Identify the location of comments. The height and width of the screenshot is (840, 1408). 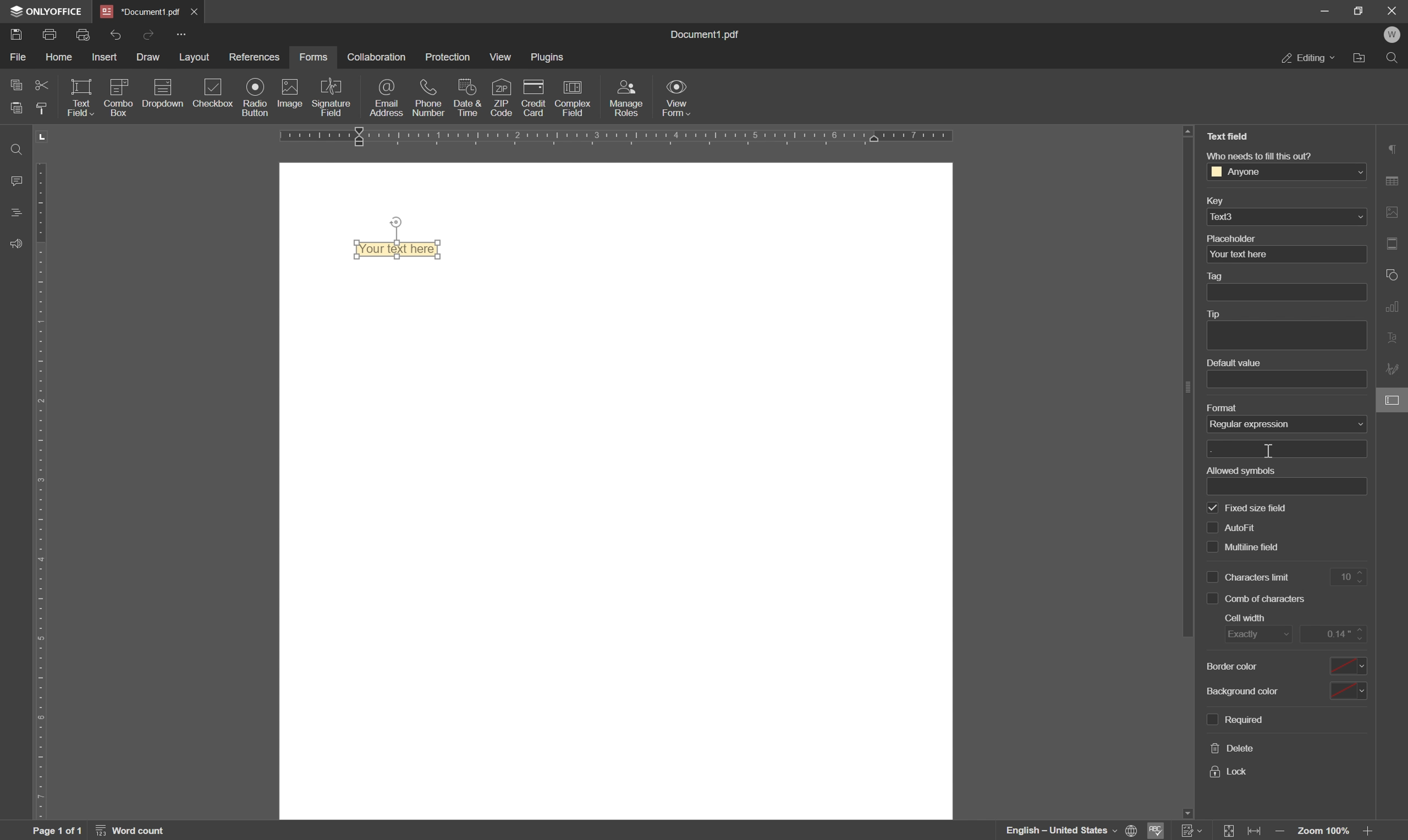
(14, 180).